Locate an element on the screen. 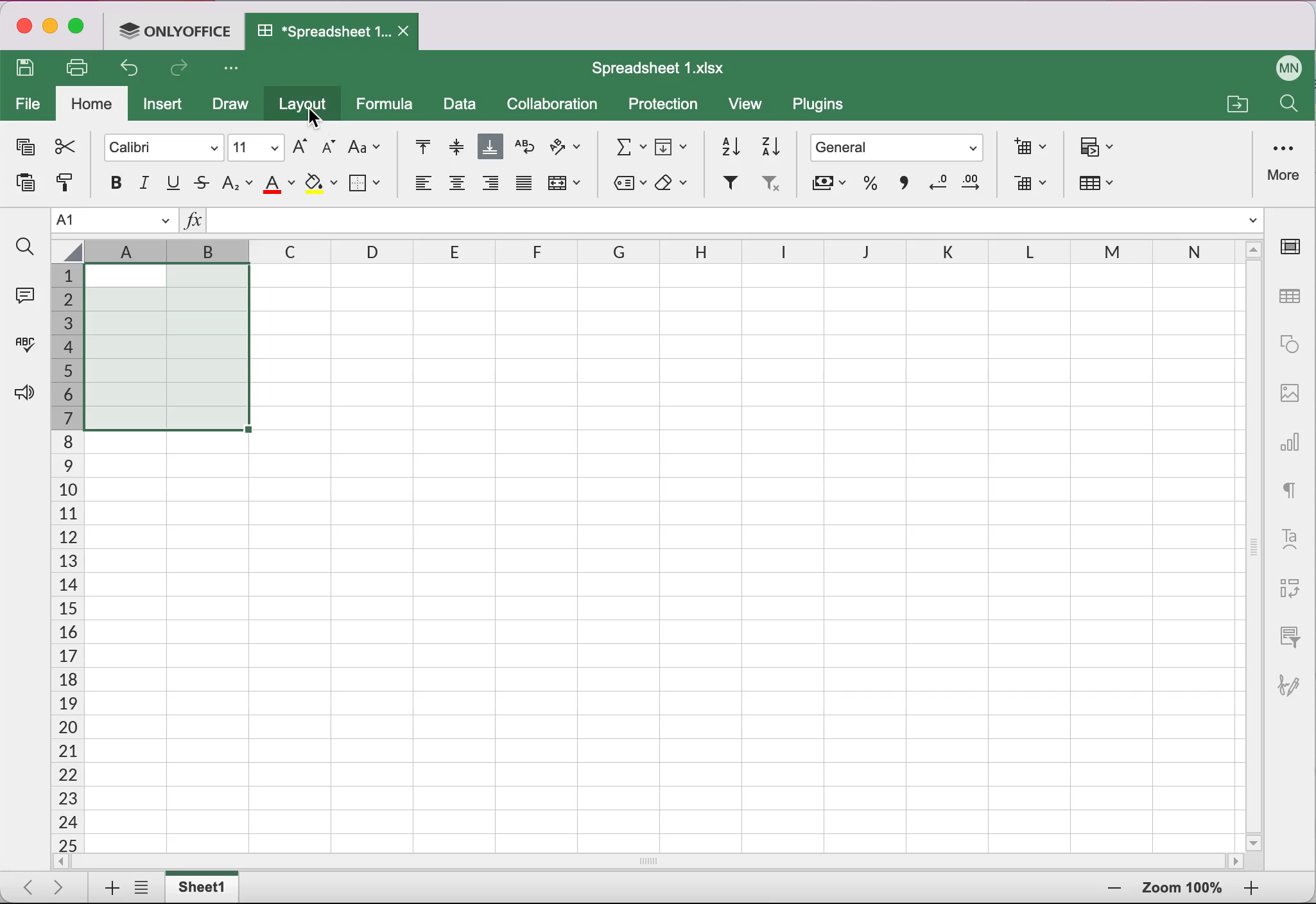 This screenshot has height=904, width=1316. wrap text is located at coordinates (524, 147).